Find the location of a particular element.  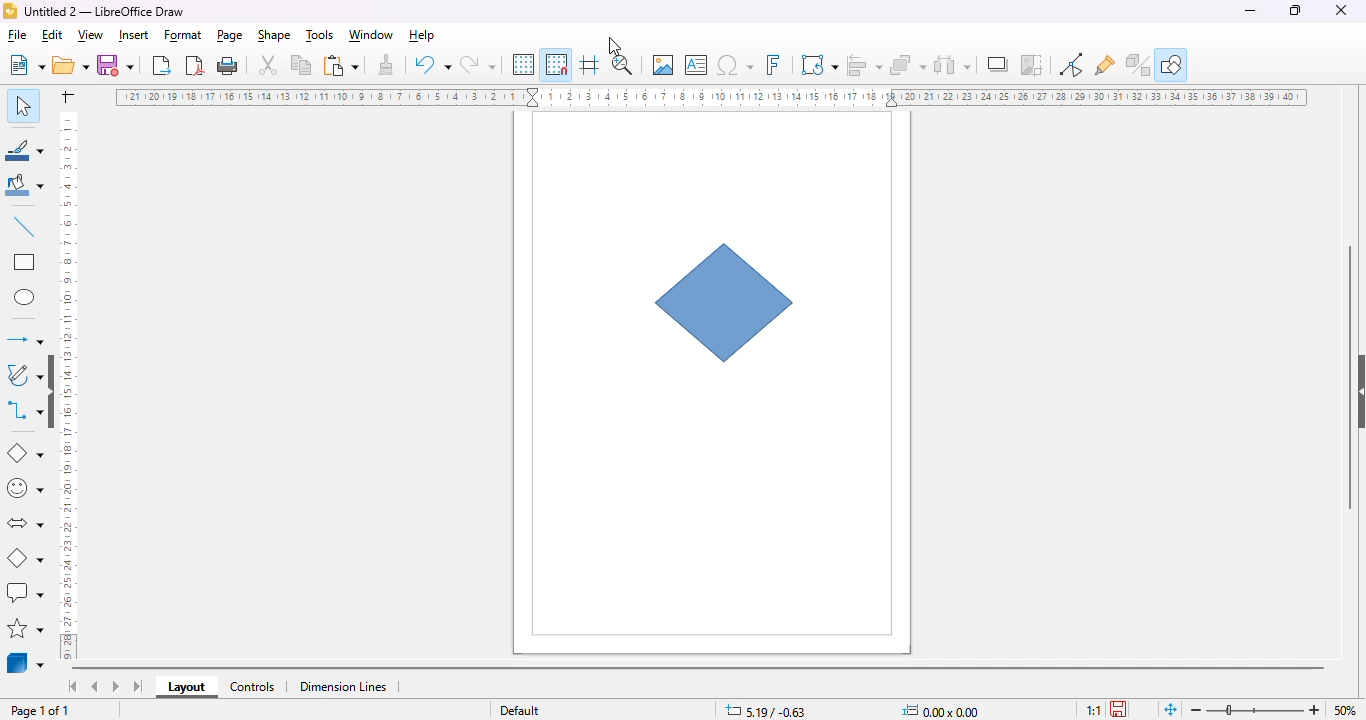

insert image is located at coordinates (663, 65).